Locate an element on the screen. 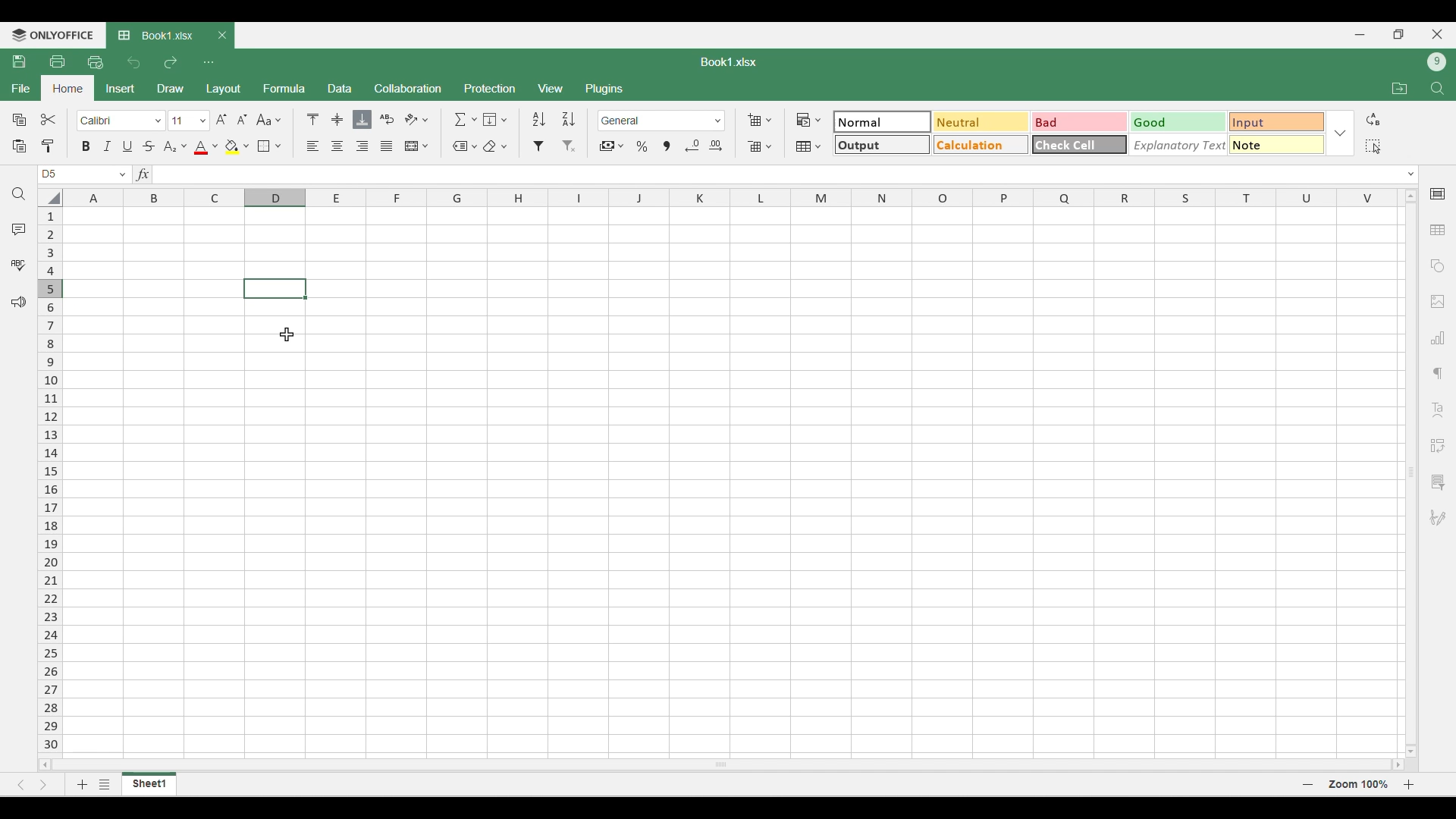  Horizontal marker is located at coordinates (733, 199).